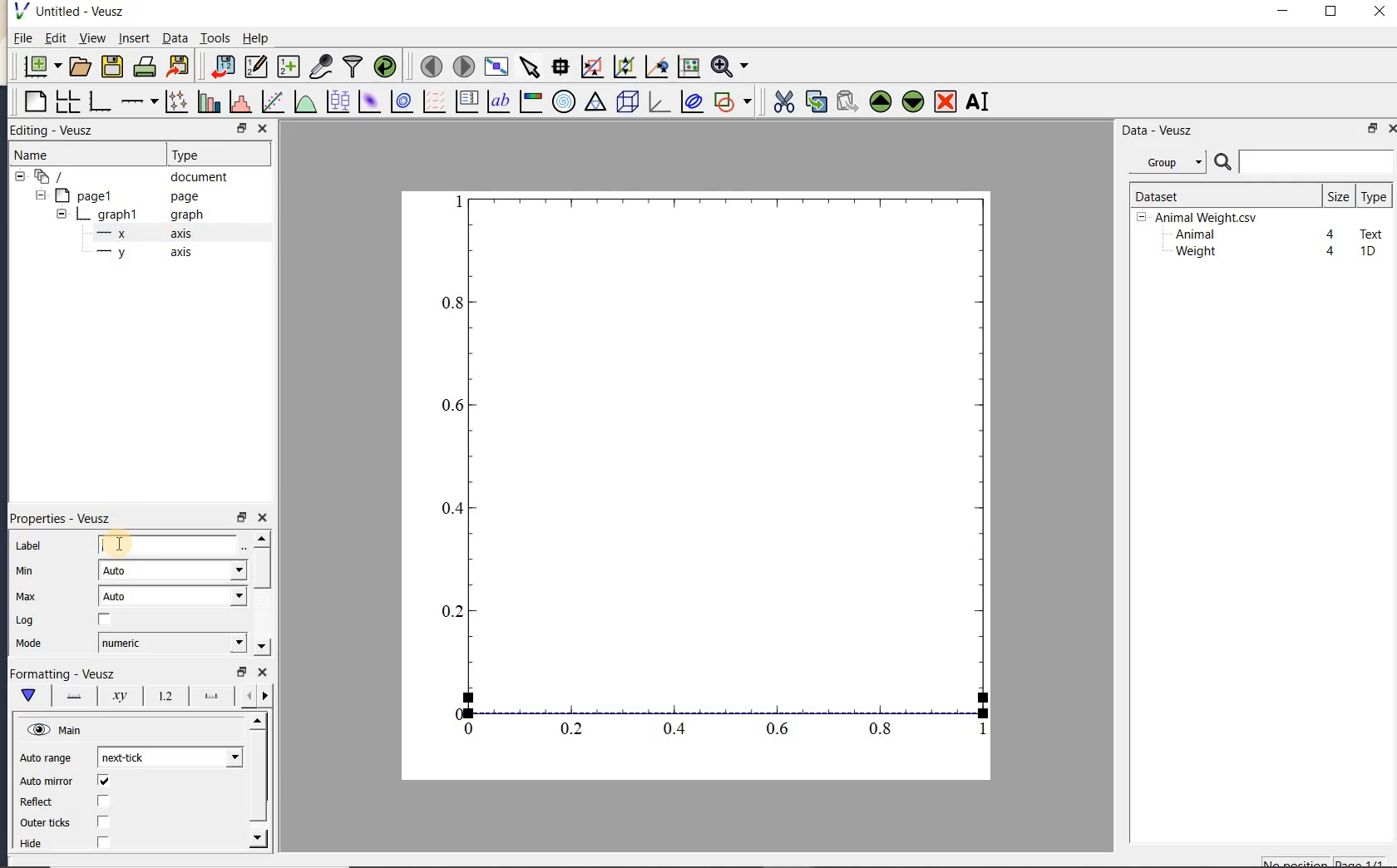 The image size is (1397, 868). I want to click on zoom function menus, so click(729, 67).